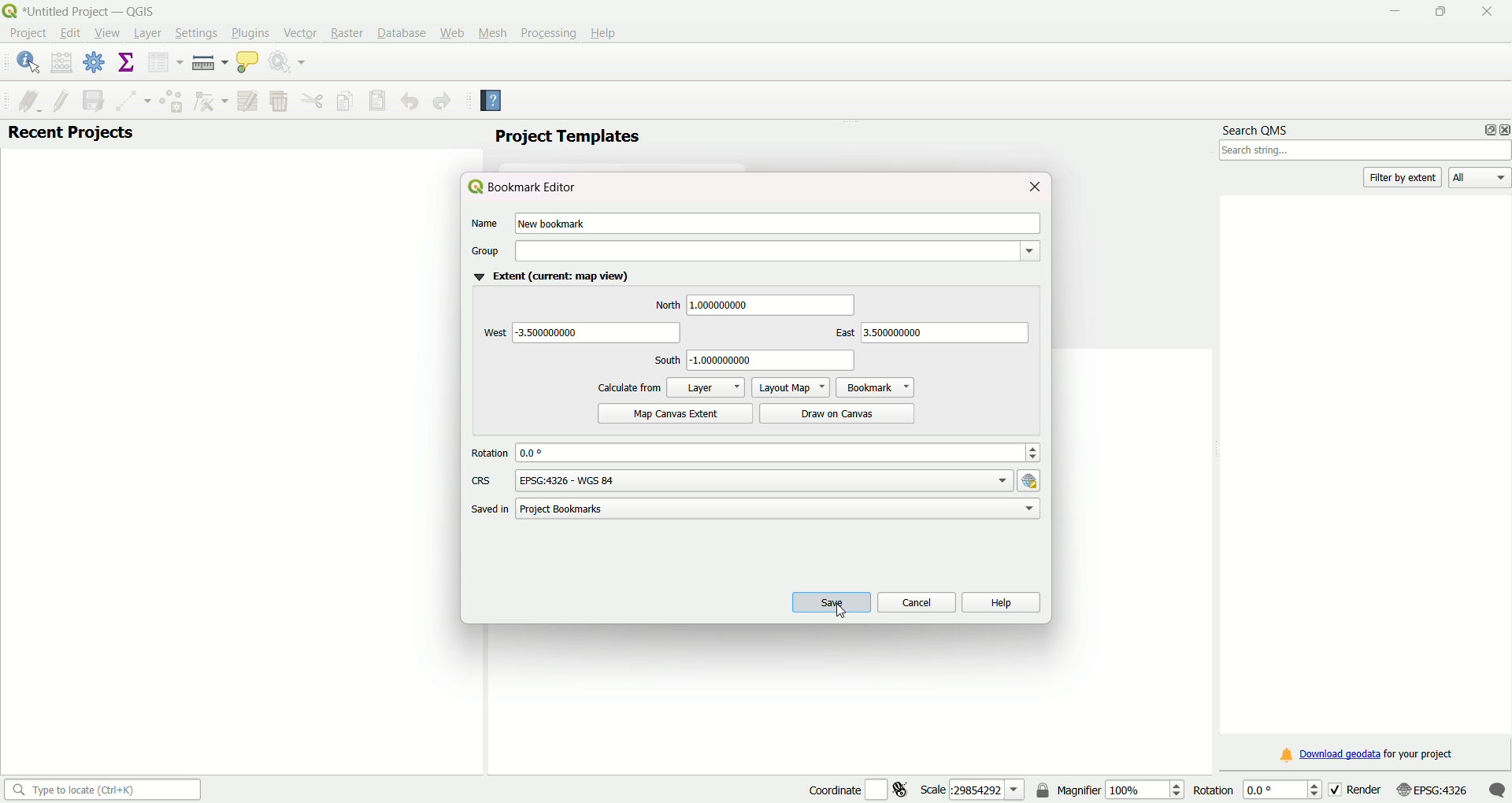  I want to click on message, so click(1497, 789).